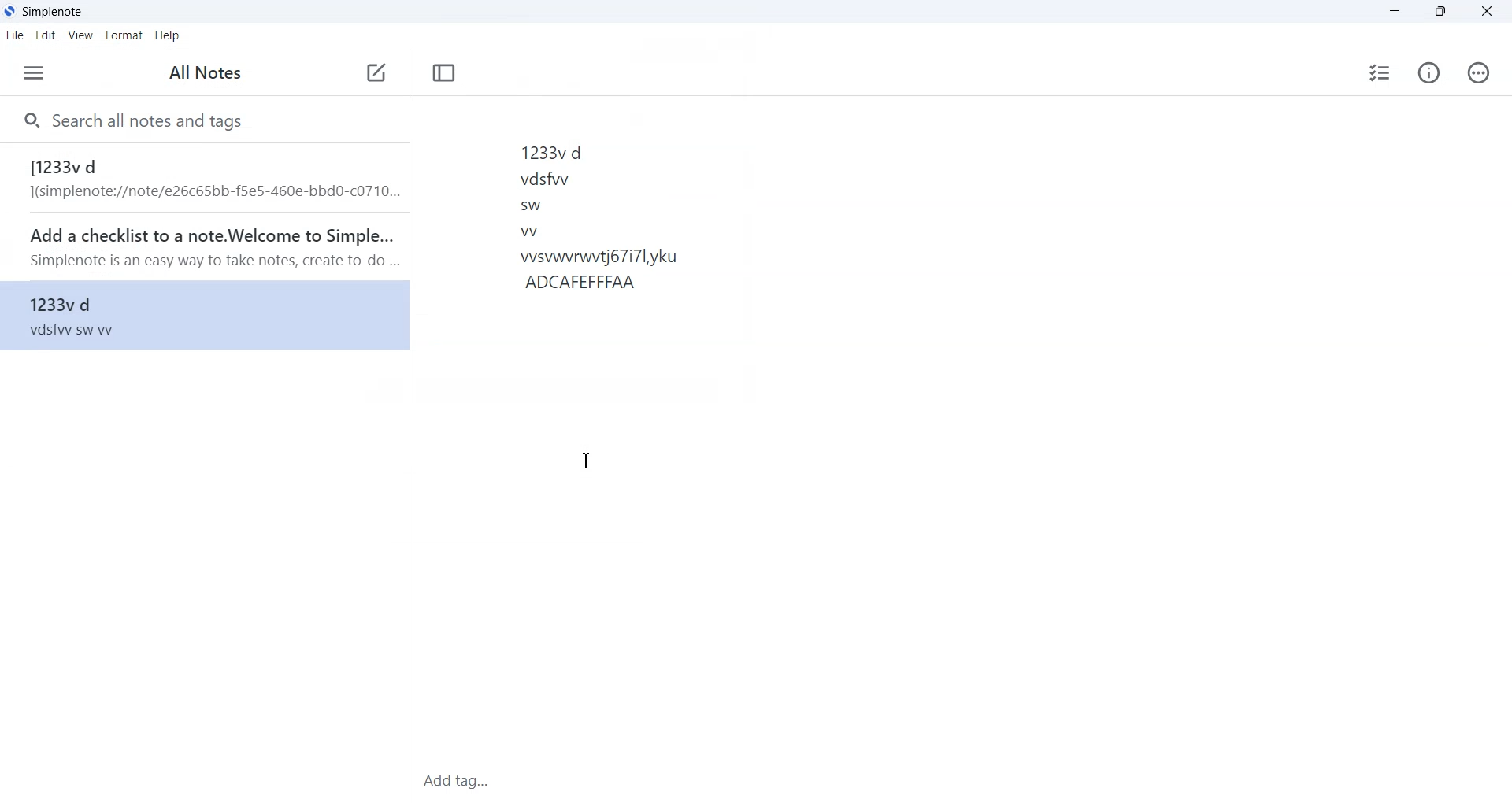 The height and width of the screenshot is (803, 1512). Describe the element at coordinates (124, 35) in the screenshot. I see `Format` at that location.